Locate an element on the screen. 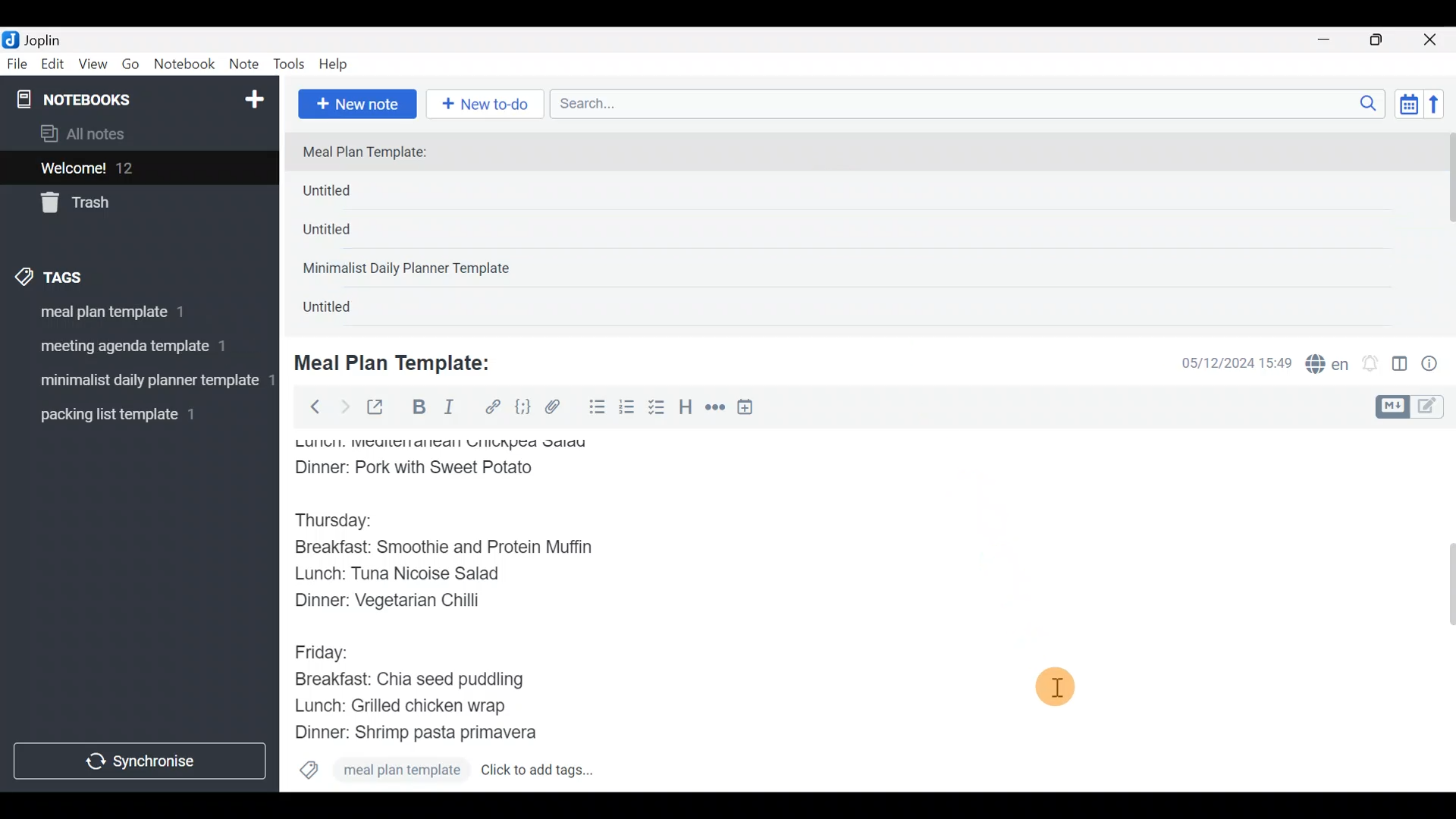 The image size is (1456, 819). Close is located at coordinates (1432, 41).